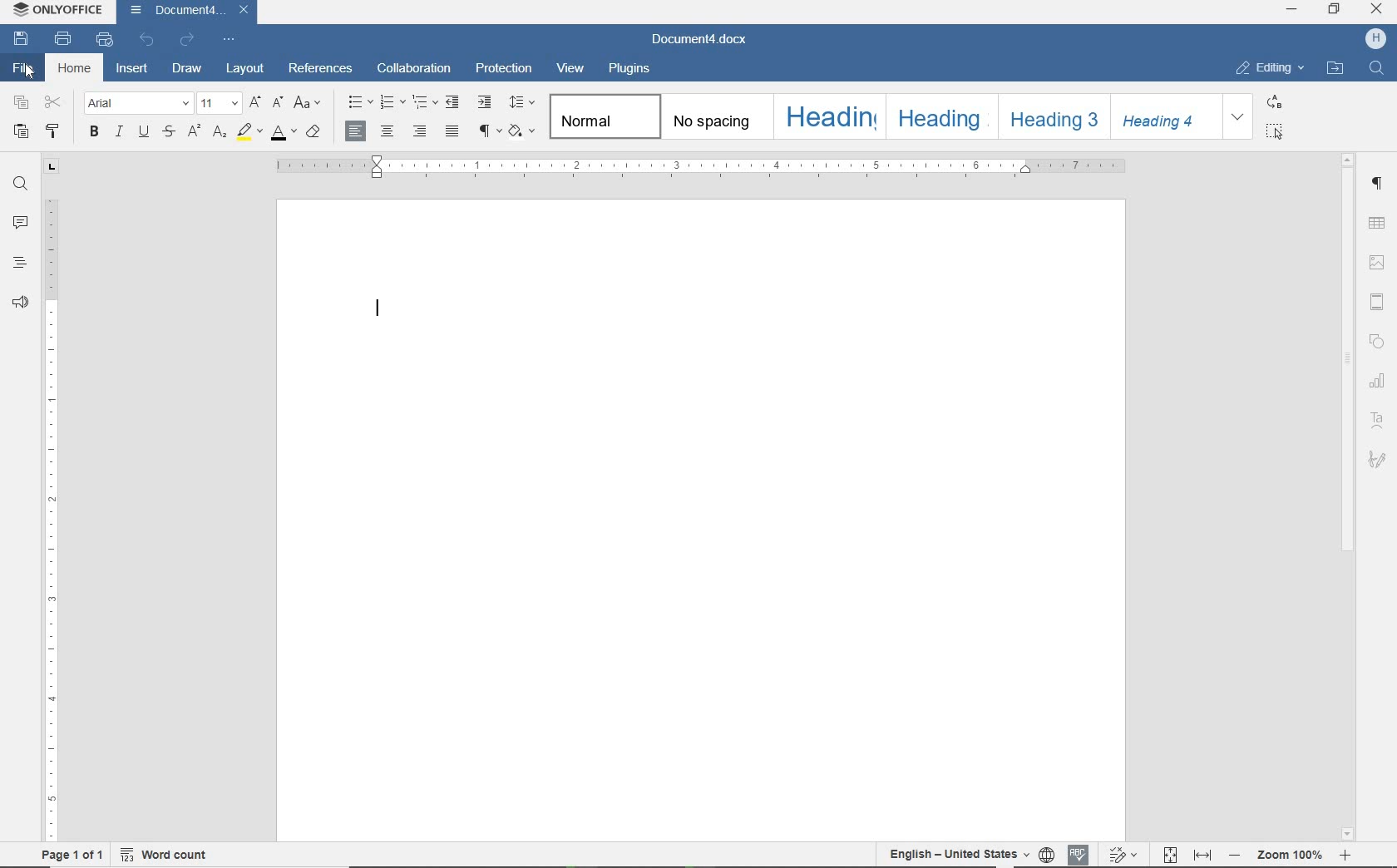 The width and height of the screenshot is (1397, 868). I want to click on signature, so click(1376, 457).